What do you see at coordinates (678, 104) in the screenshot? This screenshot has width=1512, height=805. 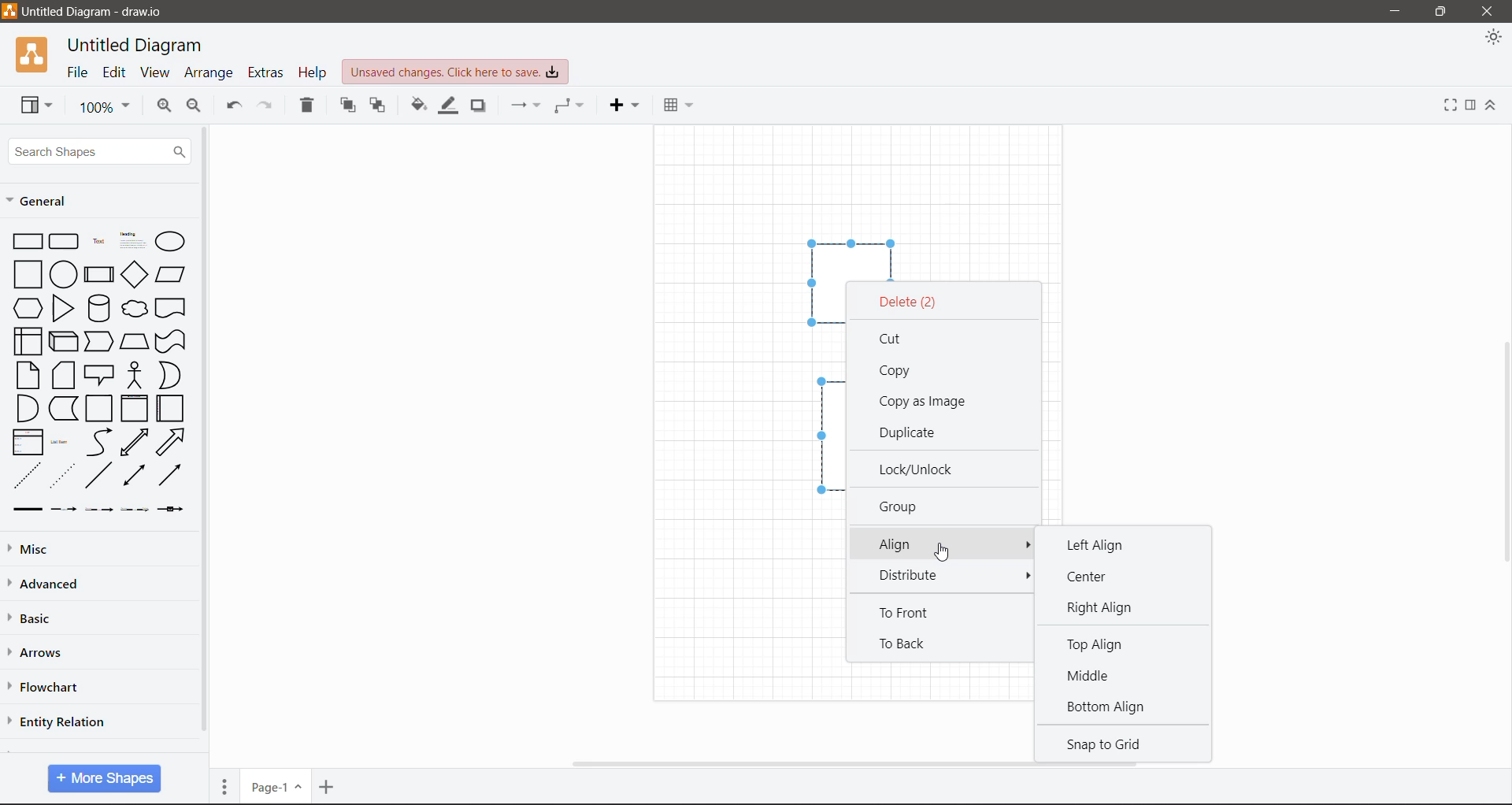 I see `Table` at bounding box center [678, 104].